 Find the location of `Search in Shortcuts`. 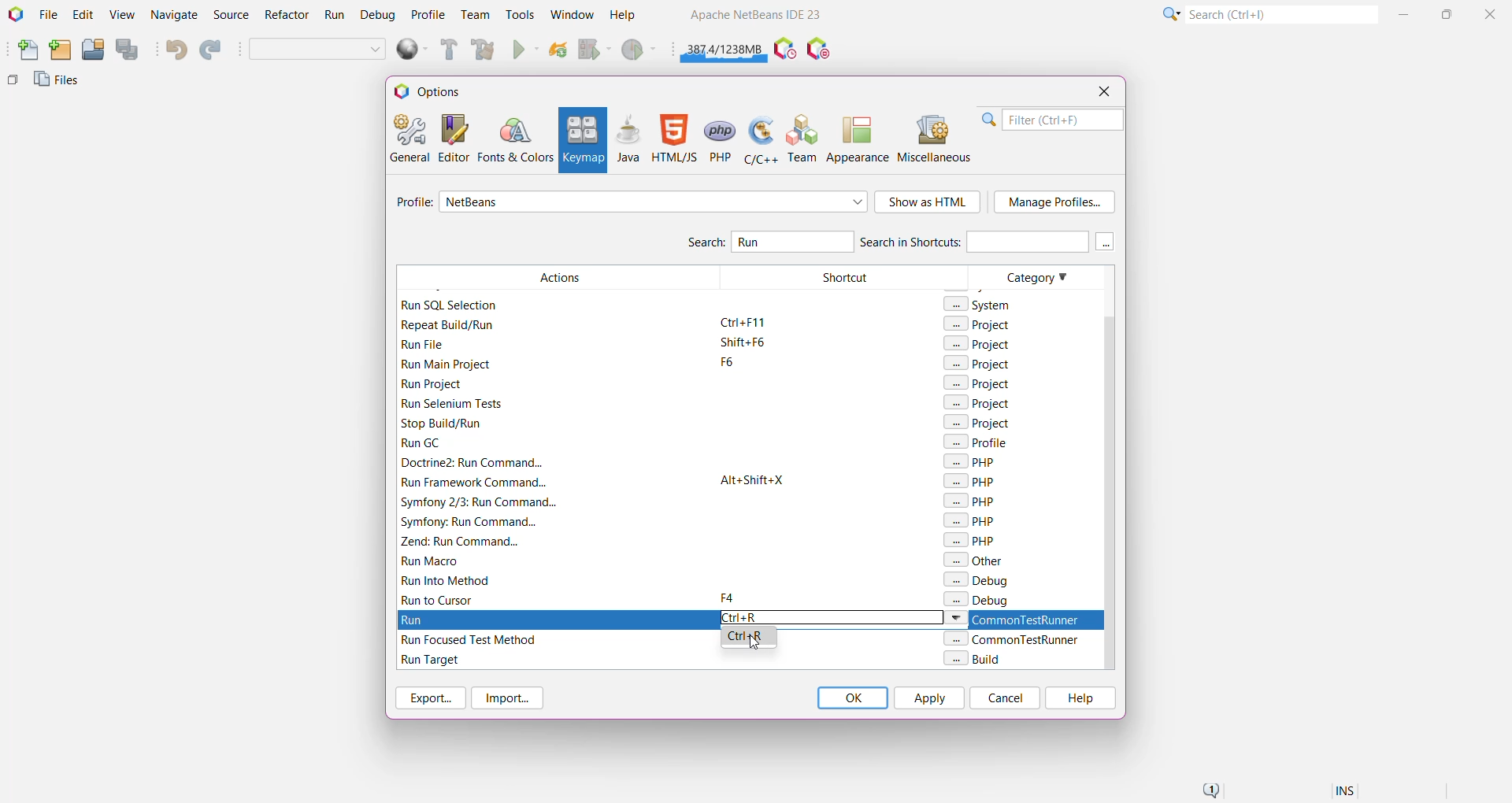

Search in Shortcuts is located at coordinates (973, 241).